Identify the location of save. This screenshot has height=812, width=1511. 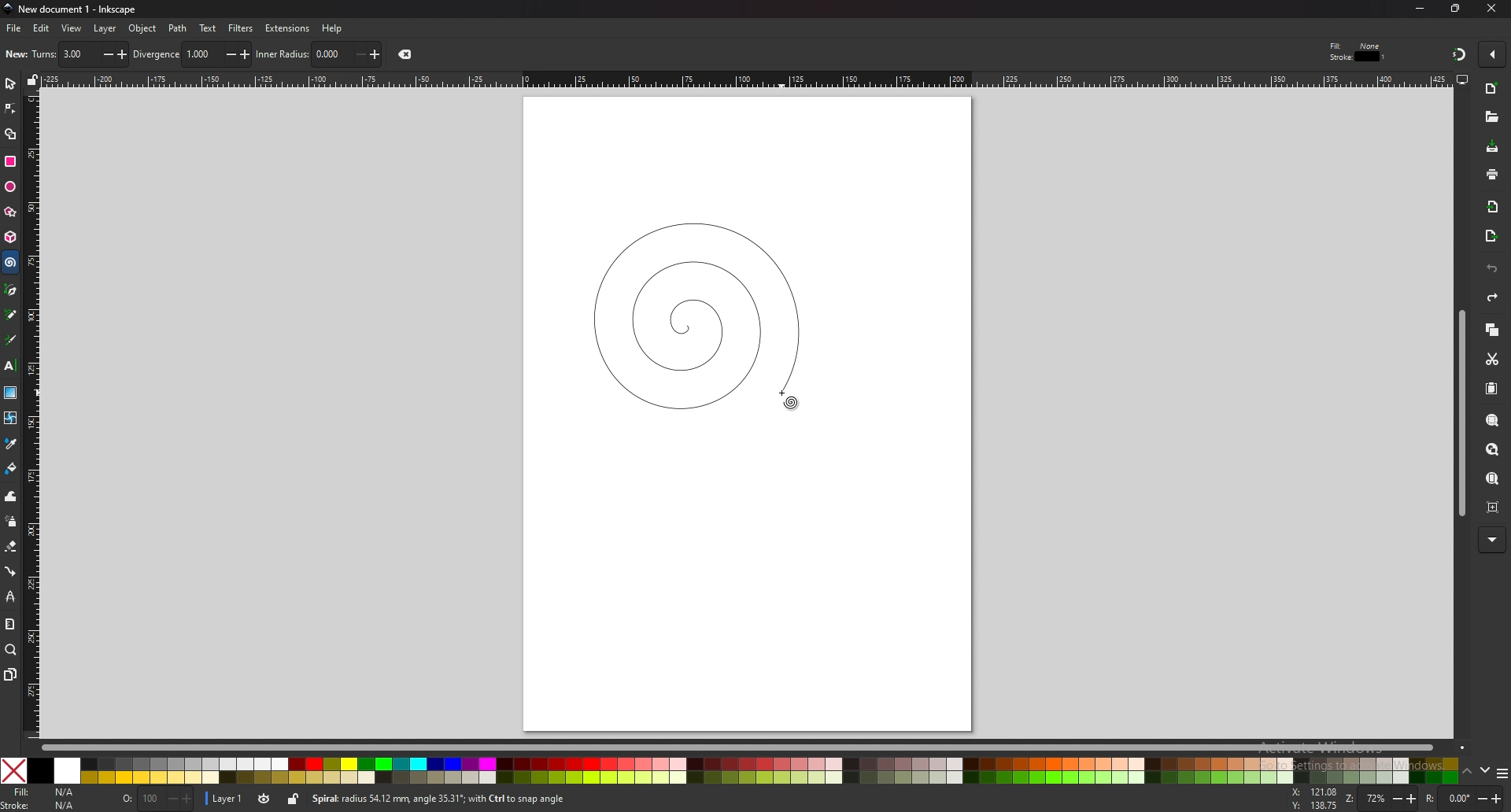
(1492, 146).